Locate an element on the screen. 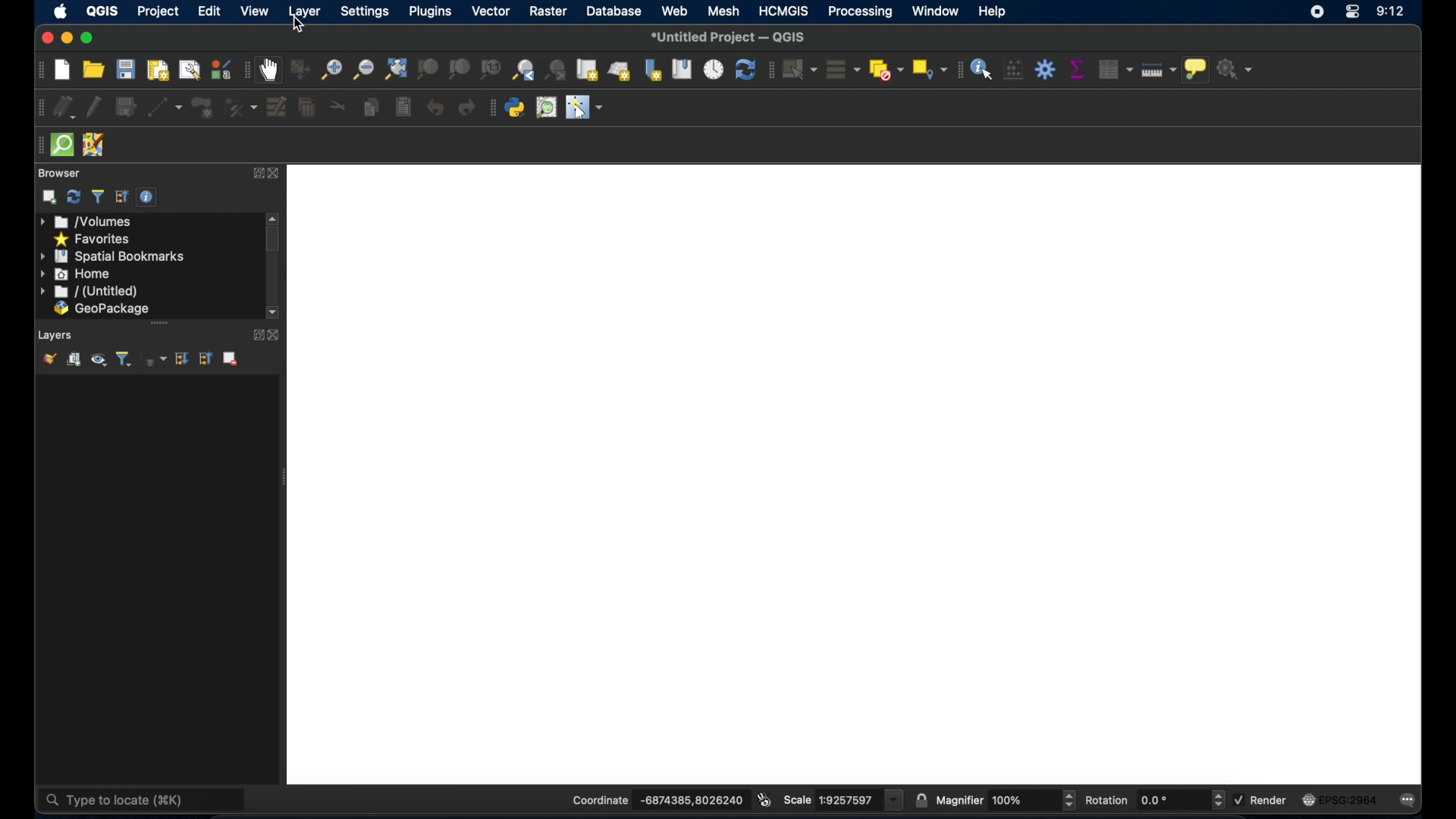 The image size is (1456, 819). untitled is located at coordinates (89, 292).